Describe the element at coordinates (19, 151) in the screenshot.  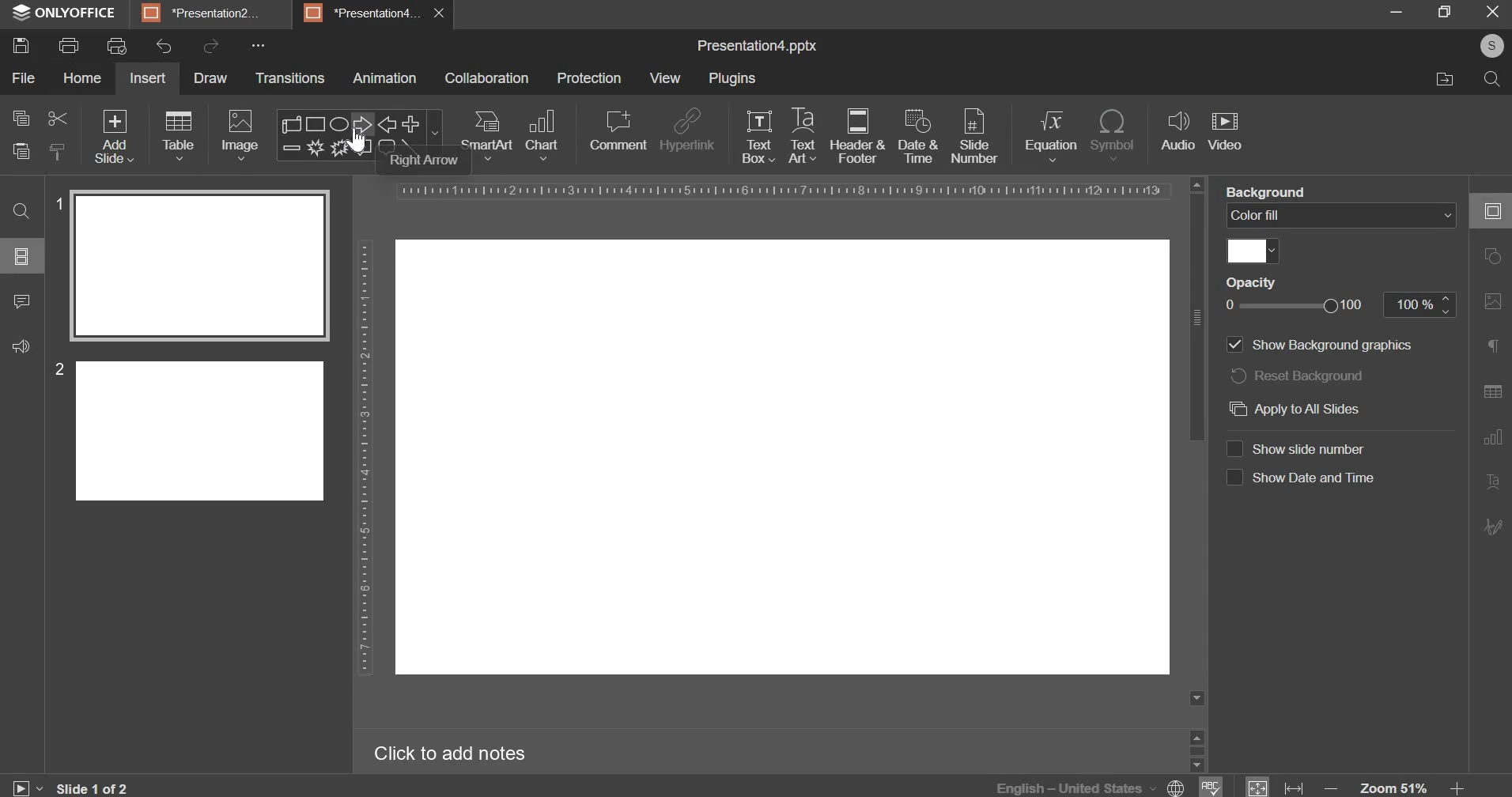
I see `paste` at that location.